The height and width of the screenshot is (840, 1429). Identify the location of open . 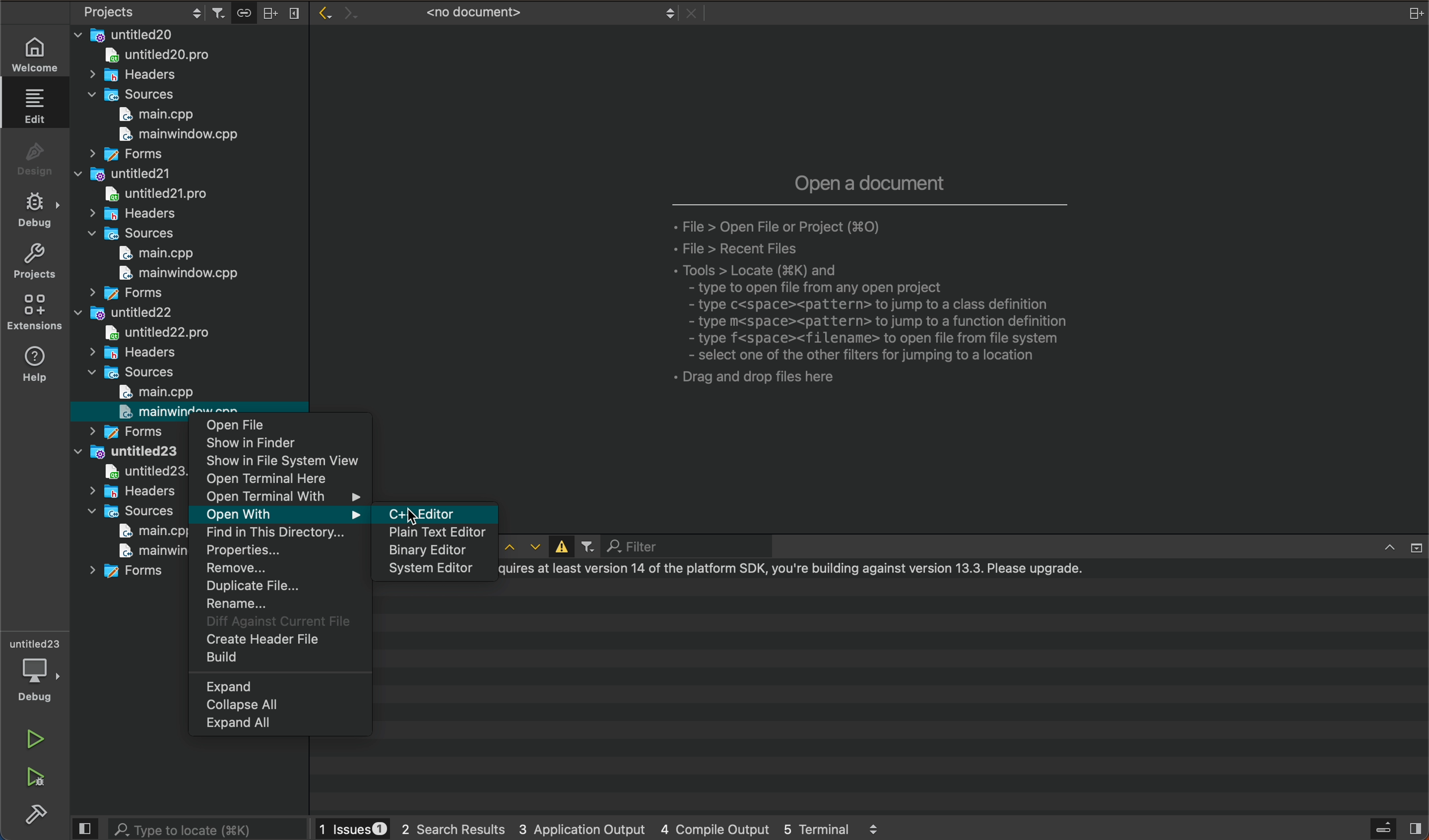
(284, 429).